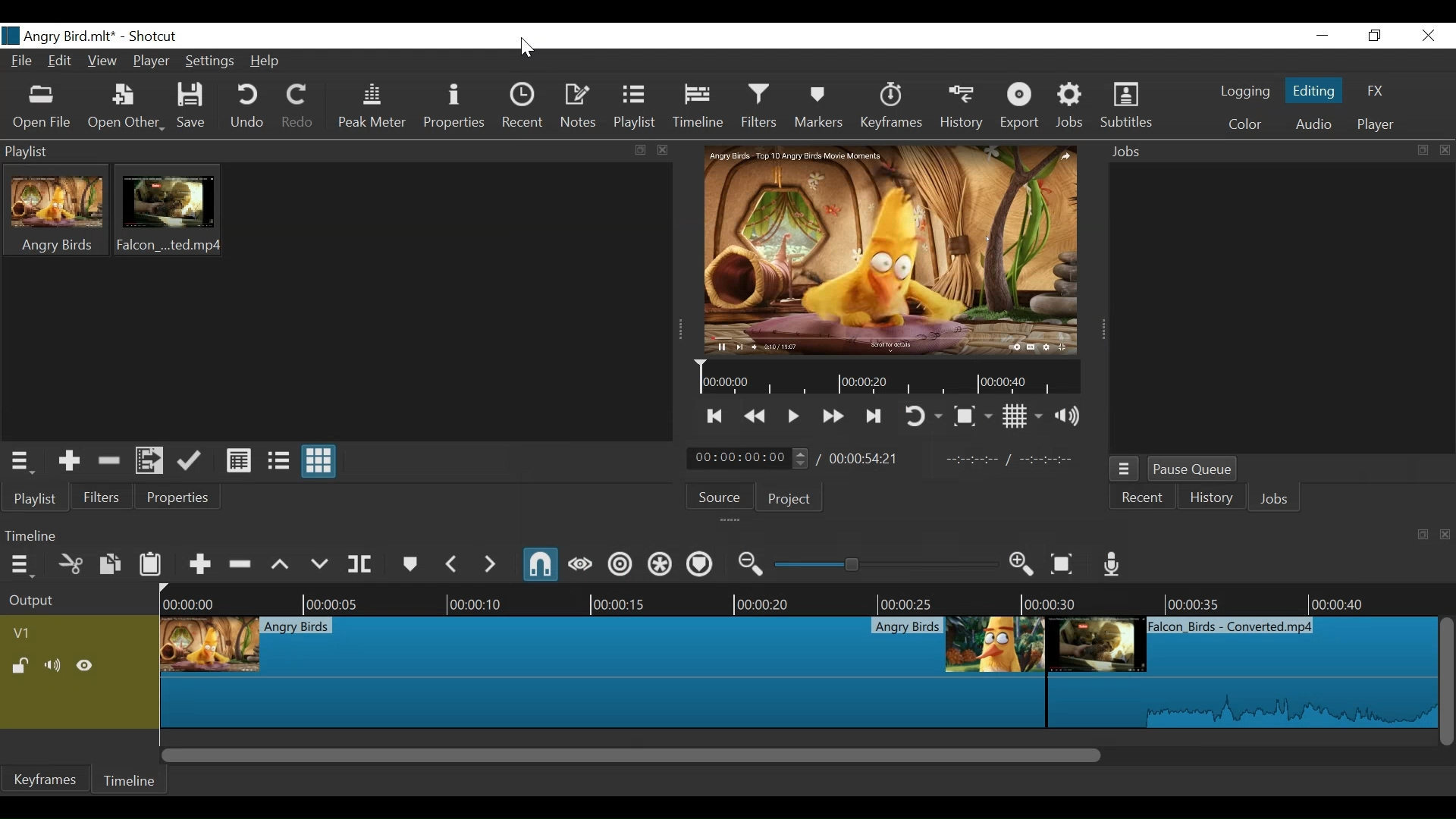 The width and height of the screenshot is (1456, 819). I want to click on Zoom timeline in, so click(1022, 565).